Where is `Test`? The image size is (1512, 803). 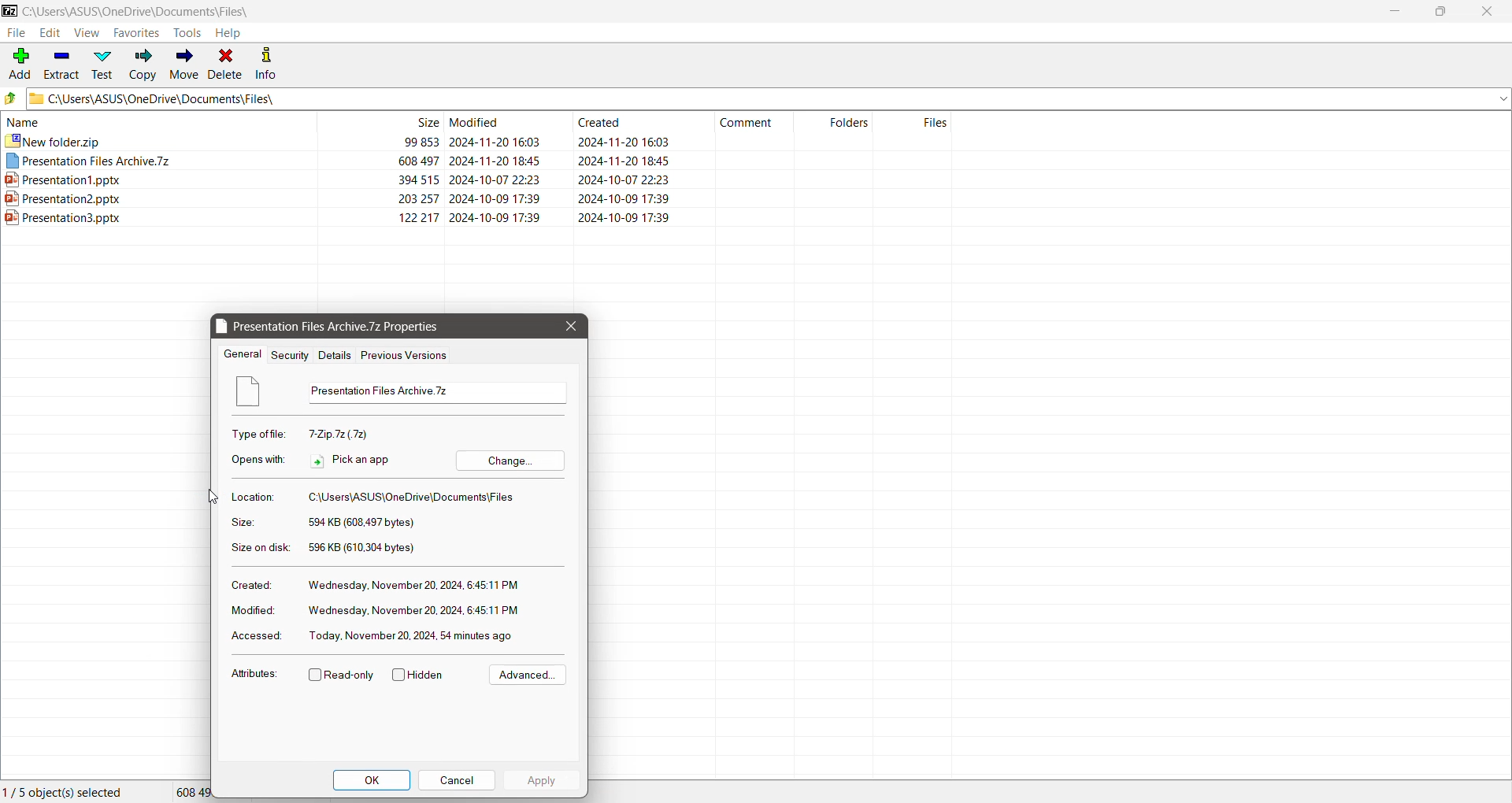
Test is located at coordinates (102, 65).